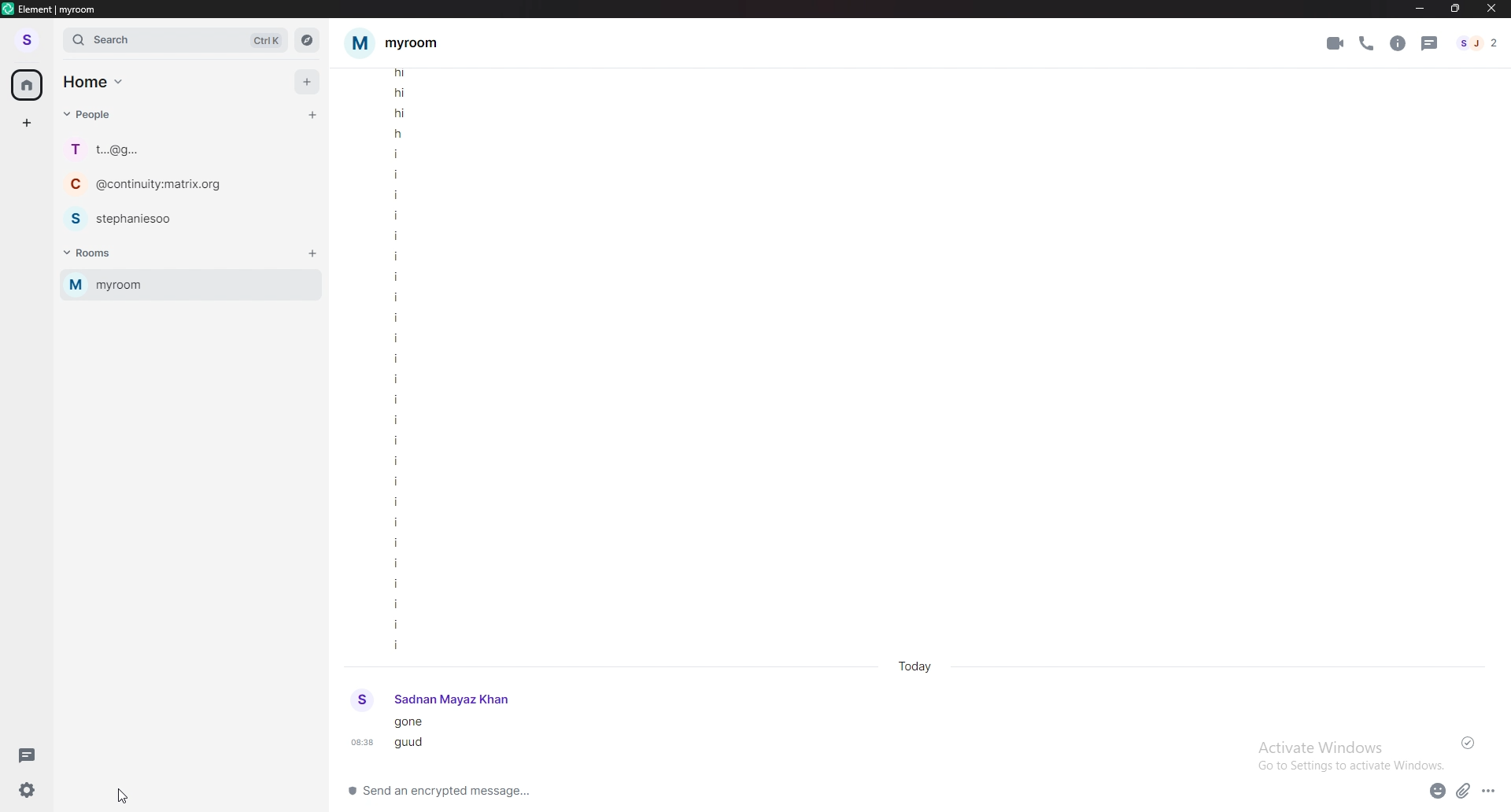  What do you see at coordinates (54, 40) in the screenshot?
I see `expand` at bounding box center [54, 40].